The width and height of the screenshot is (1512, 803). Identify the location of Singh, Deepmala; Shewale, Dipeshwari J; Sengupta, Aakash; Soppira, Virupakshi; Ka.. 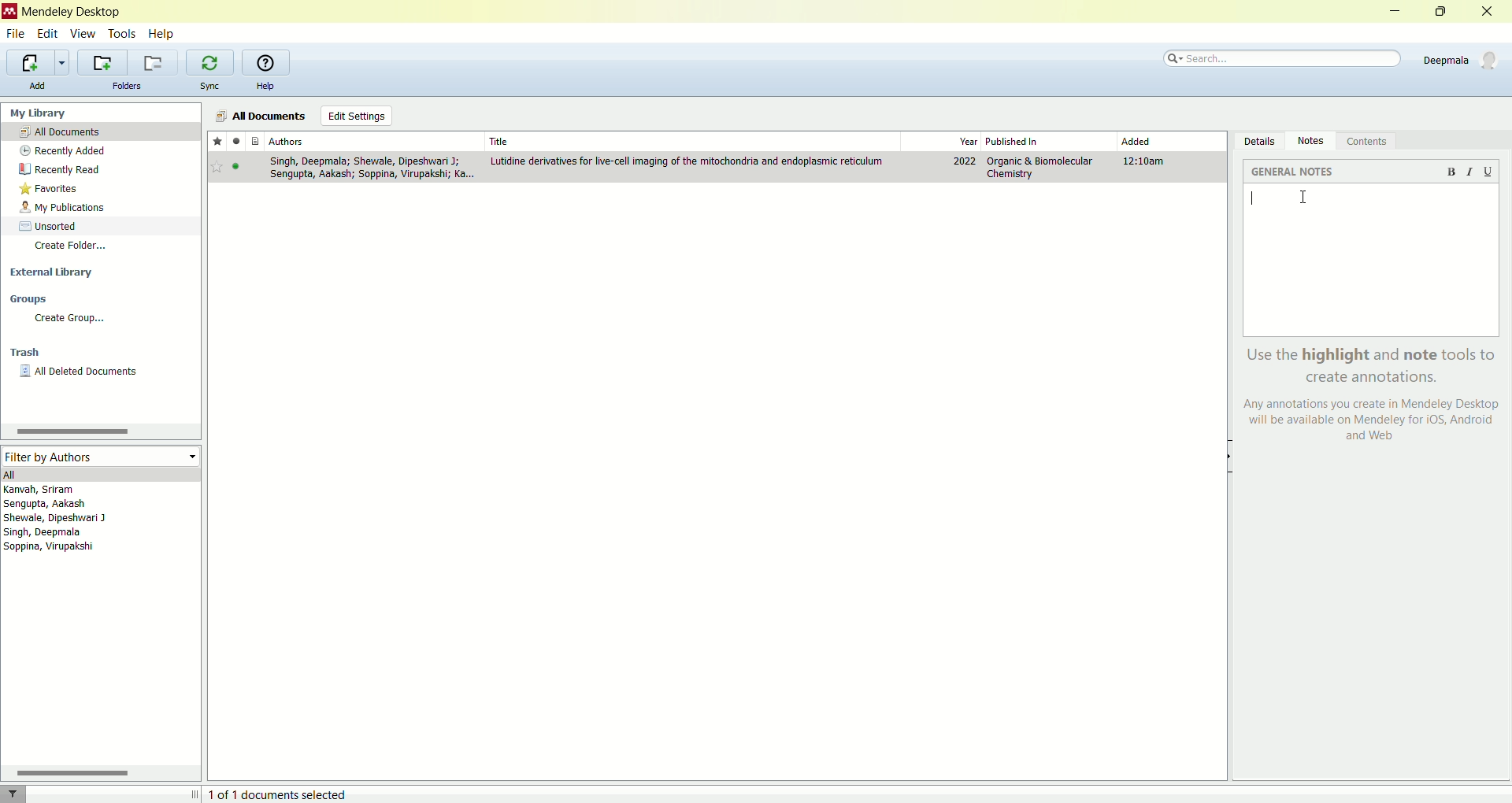
(369, 168).